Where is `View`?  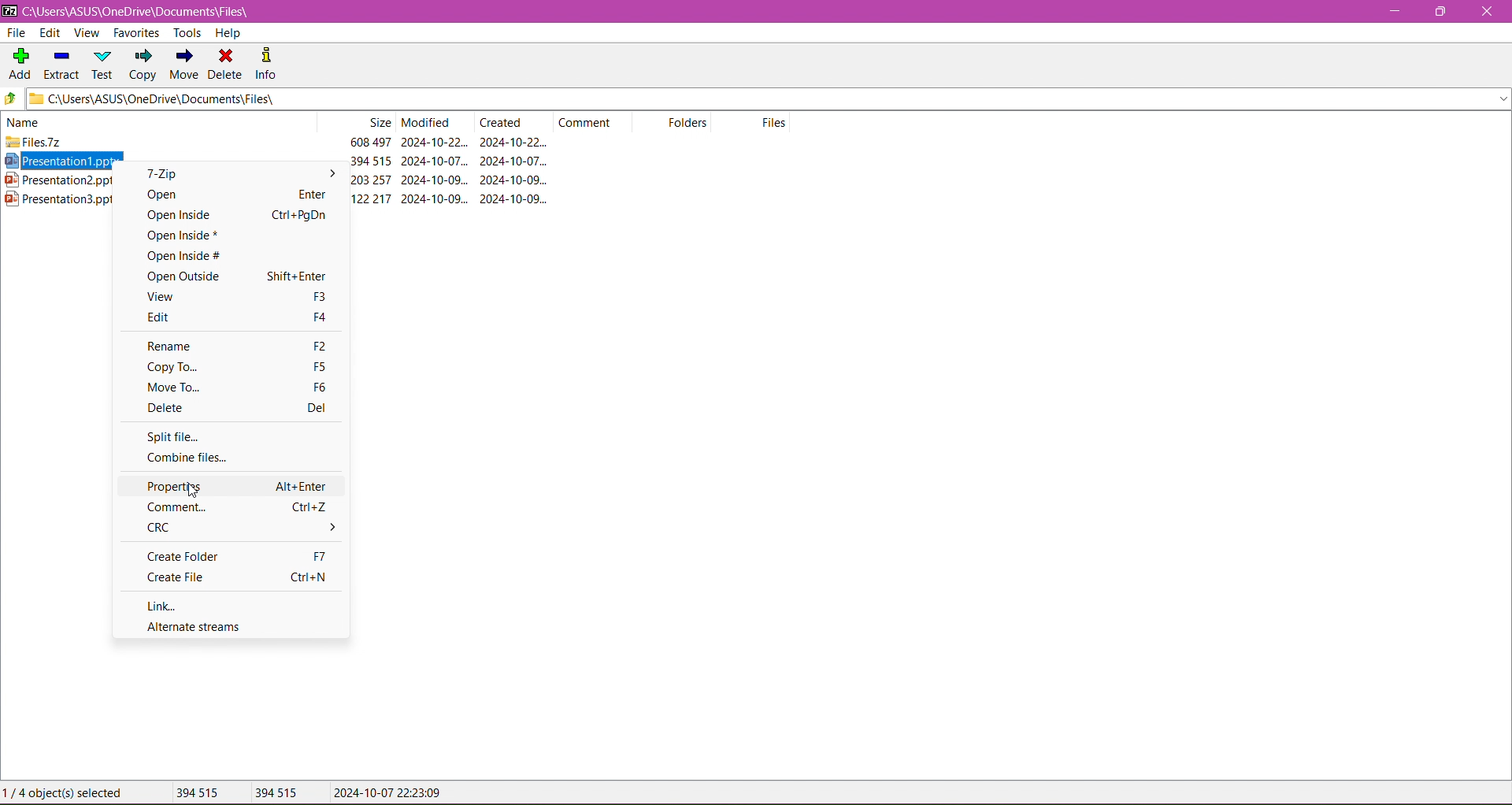 View is located at coordinates (87, 33).